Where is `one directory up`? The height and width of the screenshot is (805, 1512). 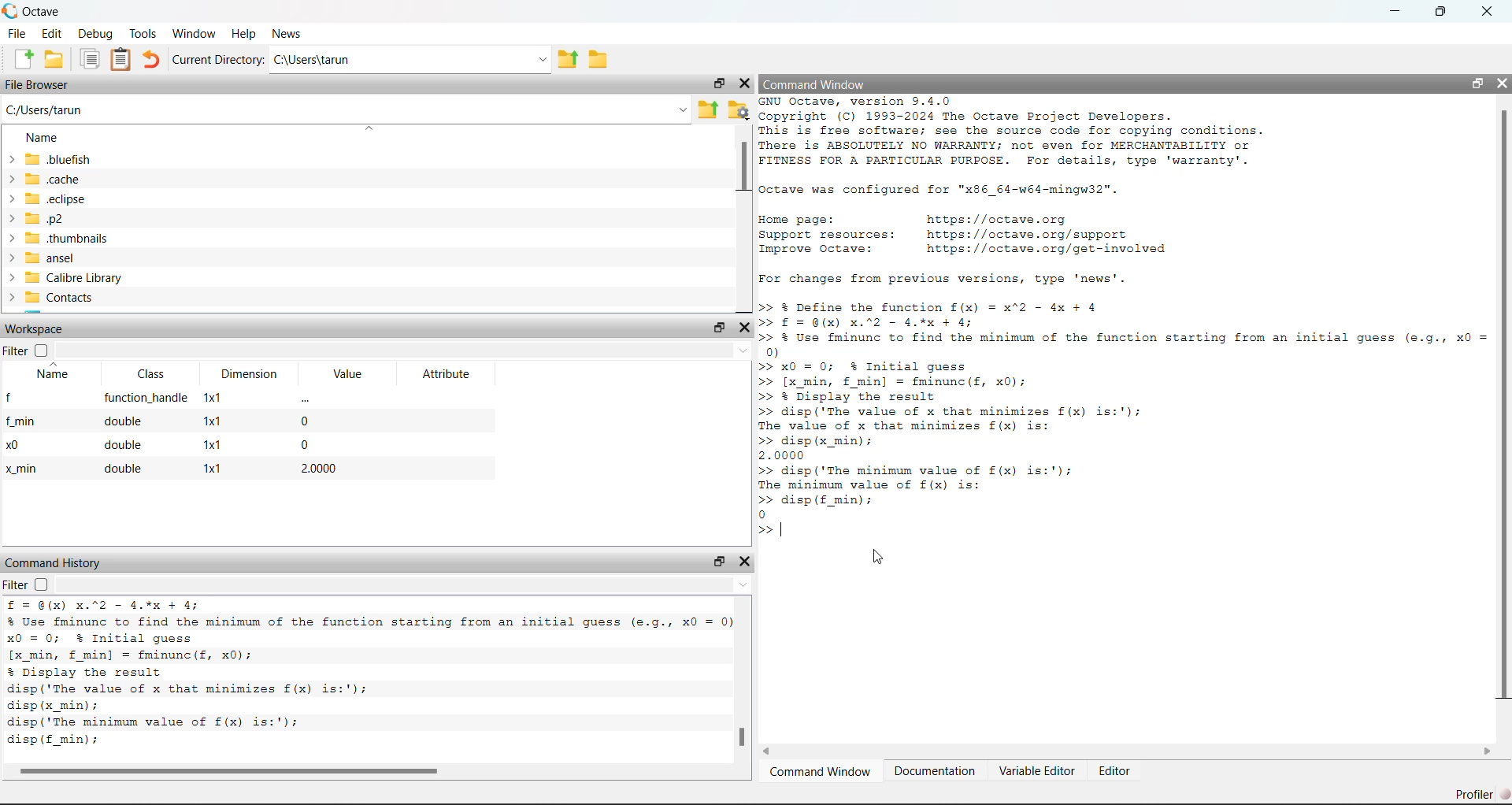 one directory up is located at coordinates (570, 61).